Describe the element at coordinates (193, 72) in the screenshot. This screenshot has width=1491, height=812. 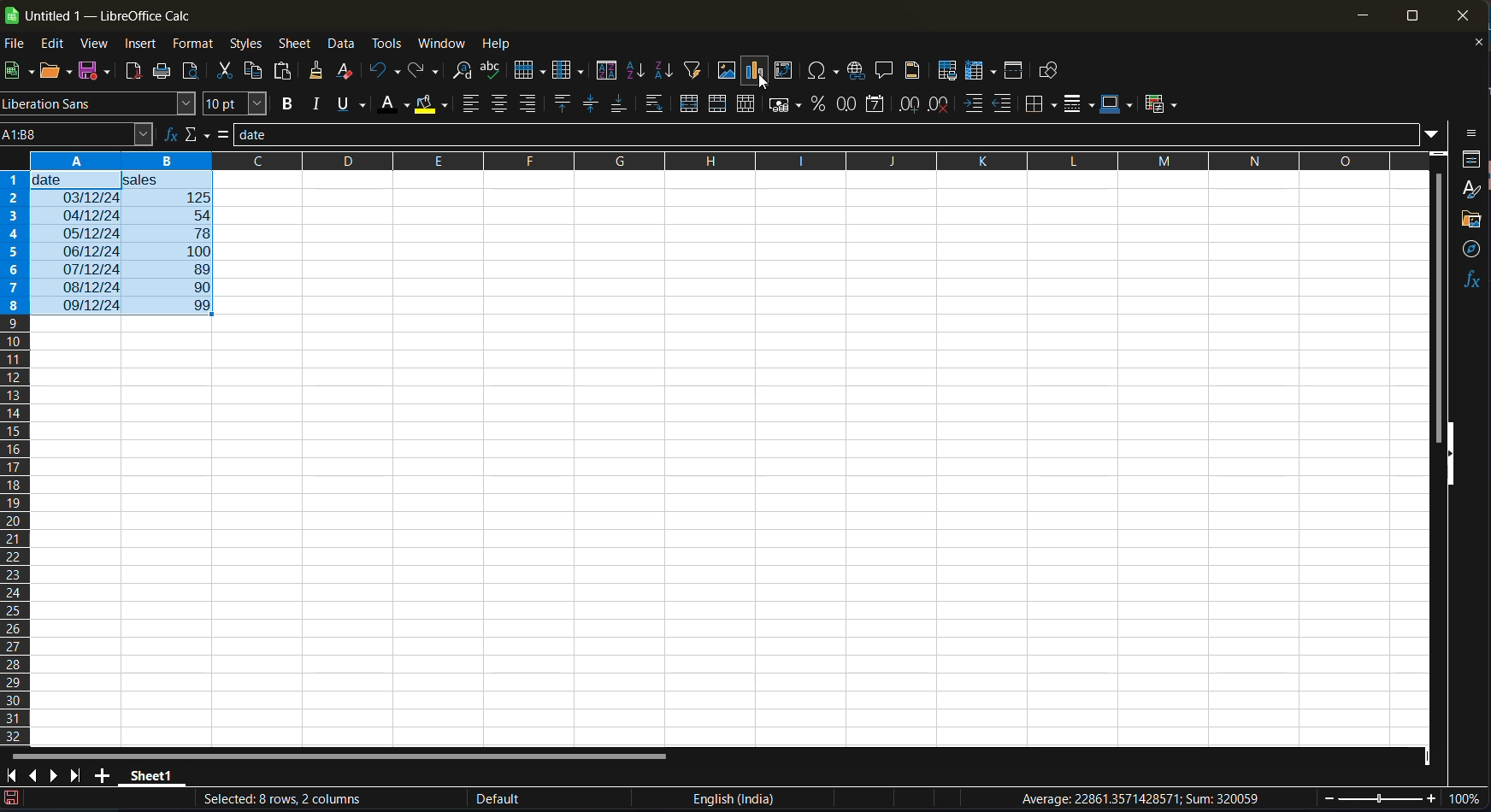
I see `toggle print preview` at that location.